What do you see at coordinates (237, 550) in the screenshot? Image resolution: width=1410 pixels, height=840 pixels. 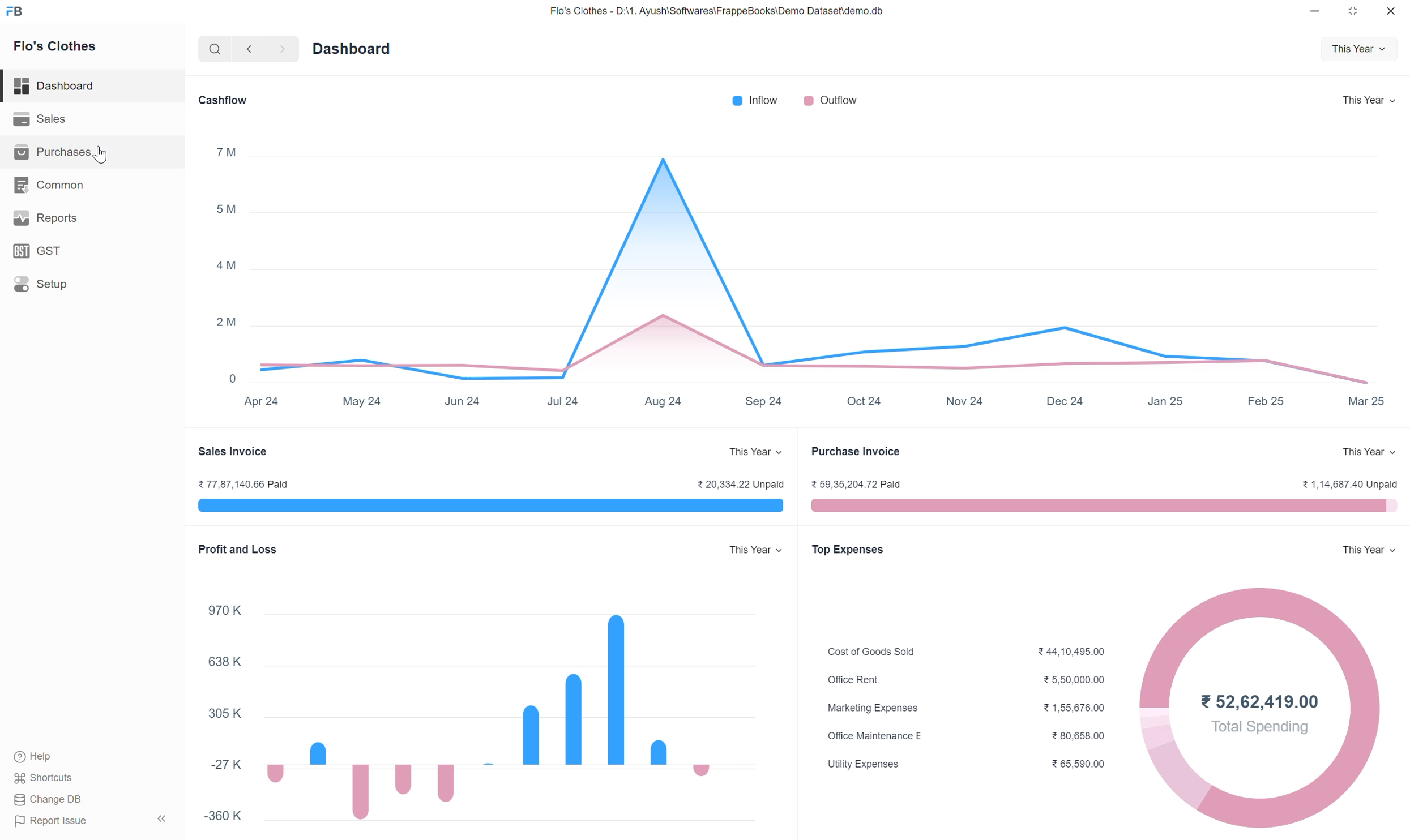 I see `profit and loss` at bounding box center [237, 550].